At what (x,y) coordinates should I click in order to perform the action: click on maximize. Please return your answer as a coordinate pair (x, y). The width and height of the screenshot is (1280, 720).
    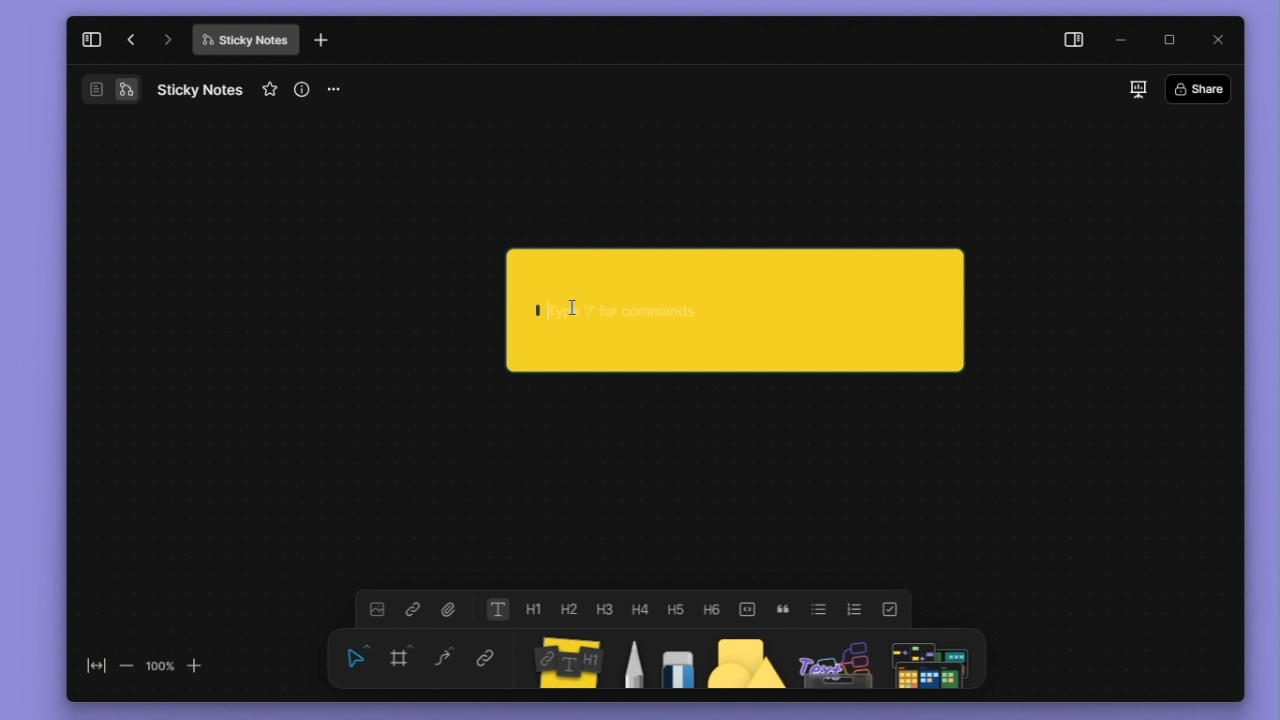
    Looking at the image, I should click on (1170, 40).